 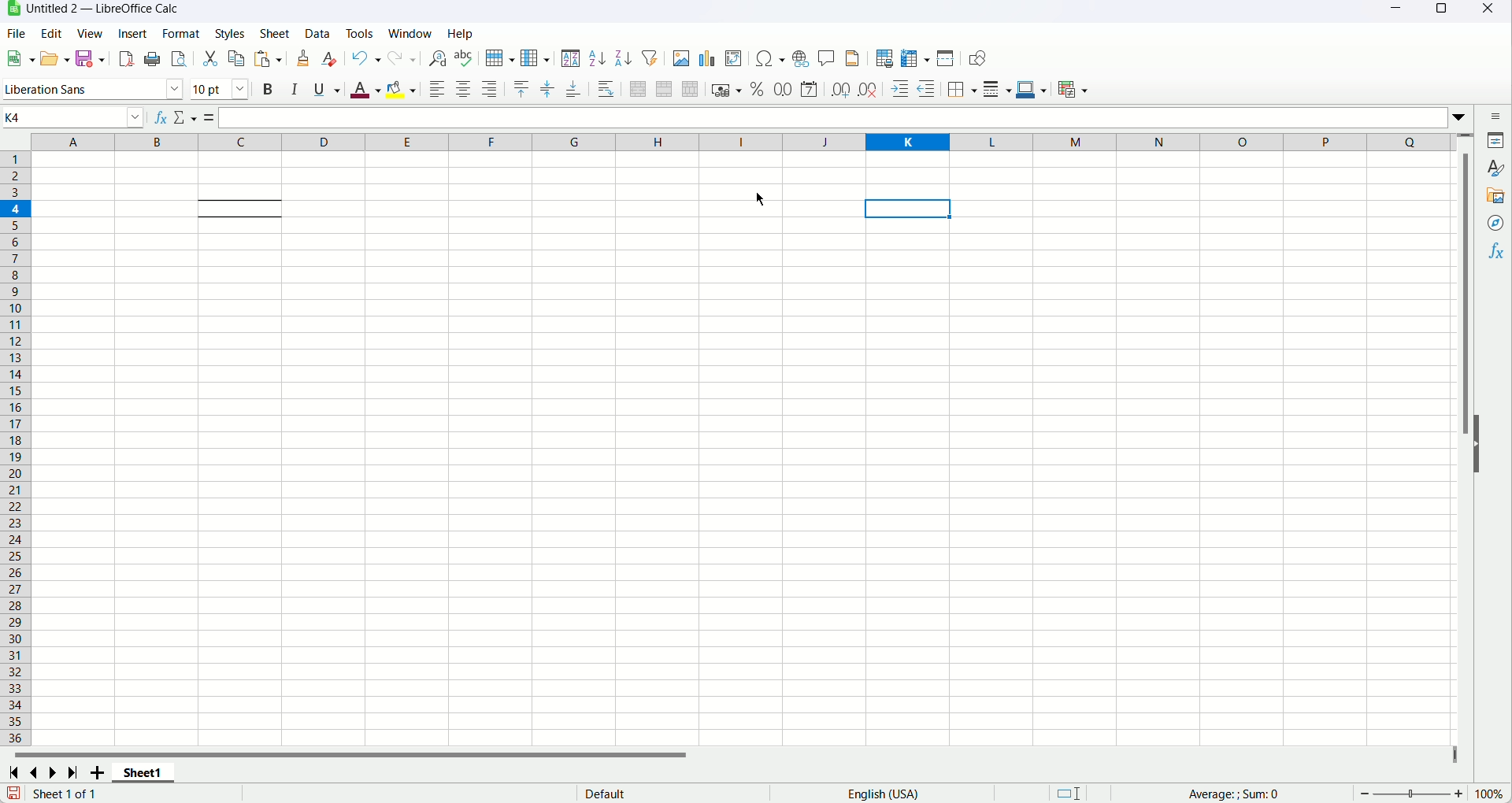 I want to click on Bold, so click(x=266, y=91).